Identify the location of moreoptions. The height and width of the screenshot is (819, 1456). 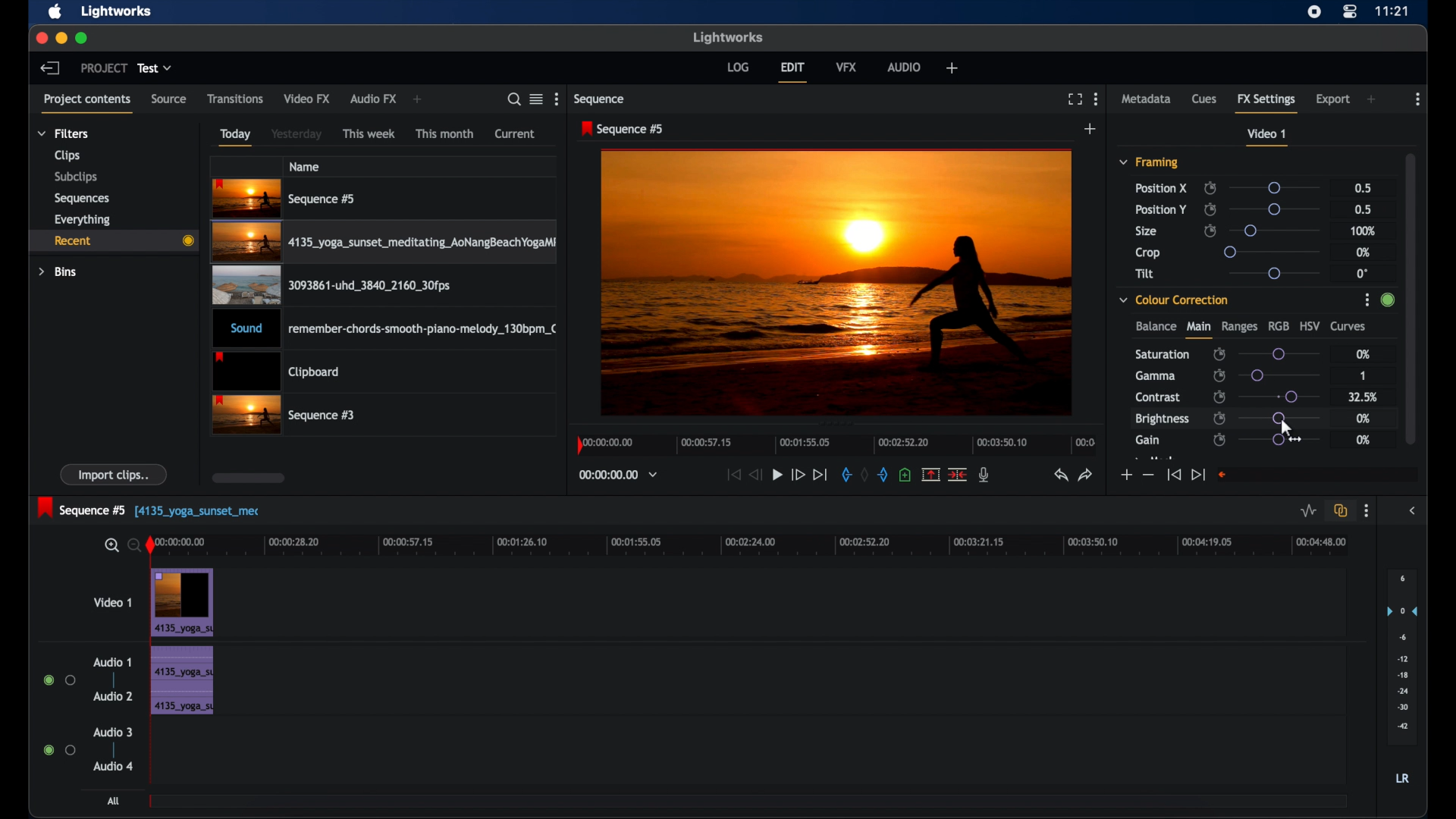
(1097, 98).